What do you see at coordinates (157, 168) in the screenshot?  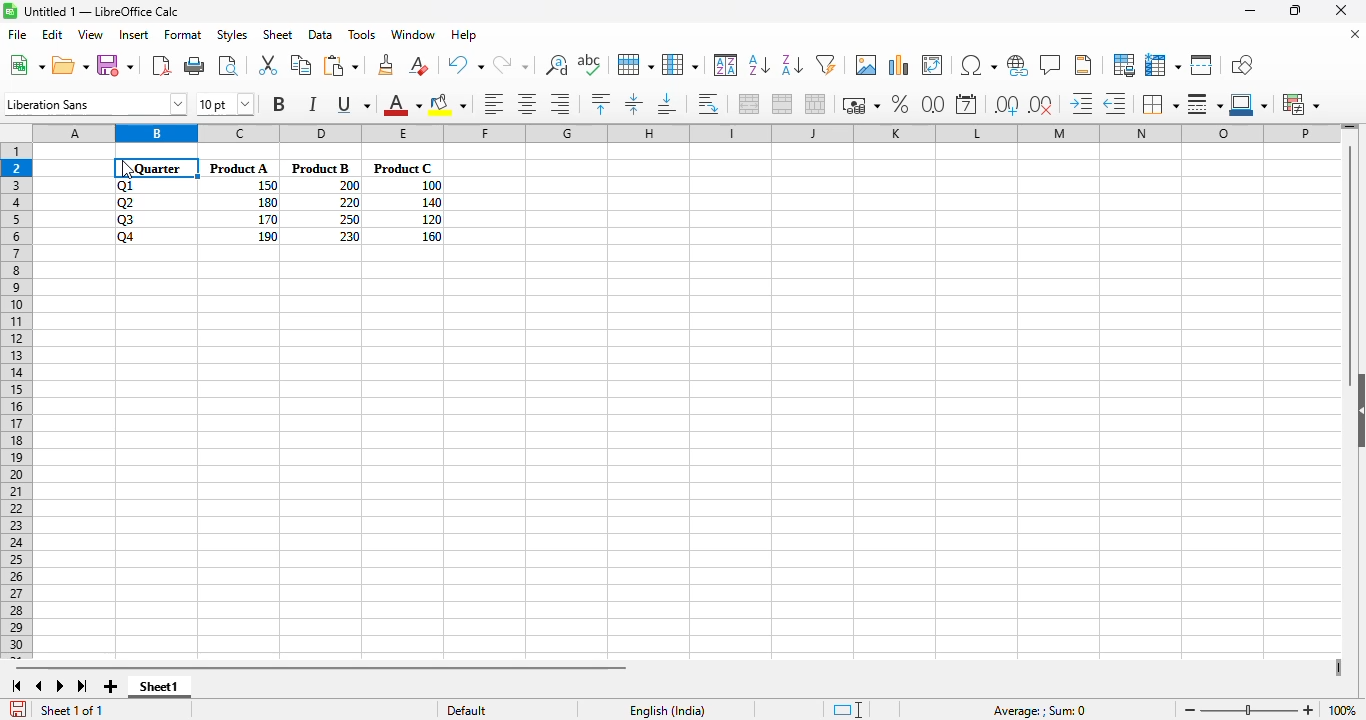 I see `Quarter/Cell selected` at bounding box center [157, 168].